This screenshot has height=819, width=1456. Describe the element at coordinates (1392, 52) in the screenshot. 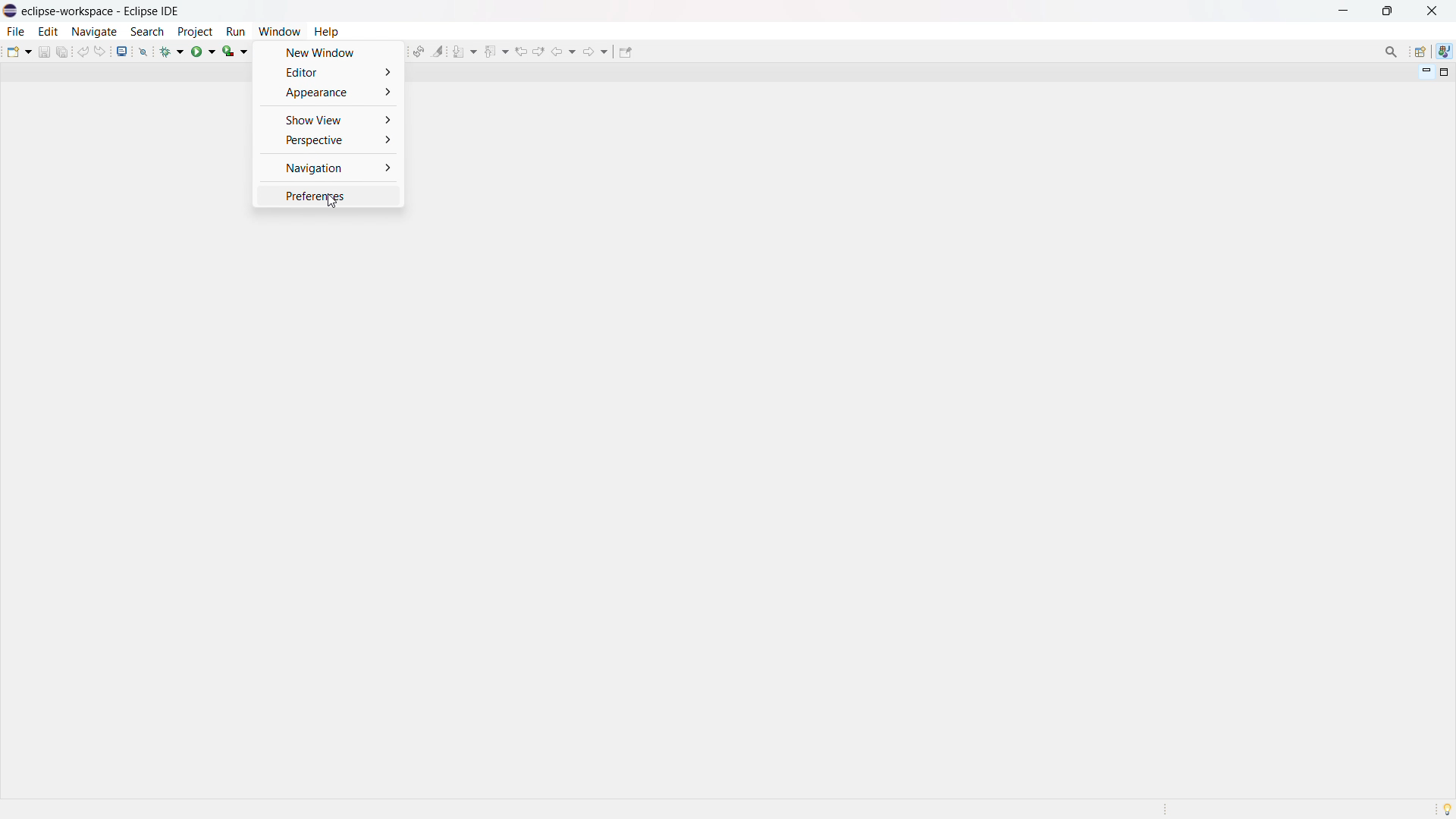

I see `access commands and other items` at that location.